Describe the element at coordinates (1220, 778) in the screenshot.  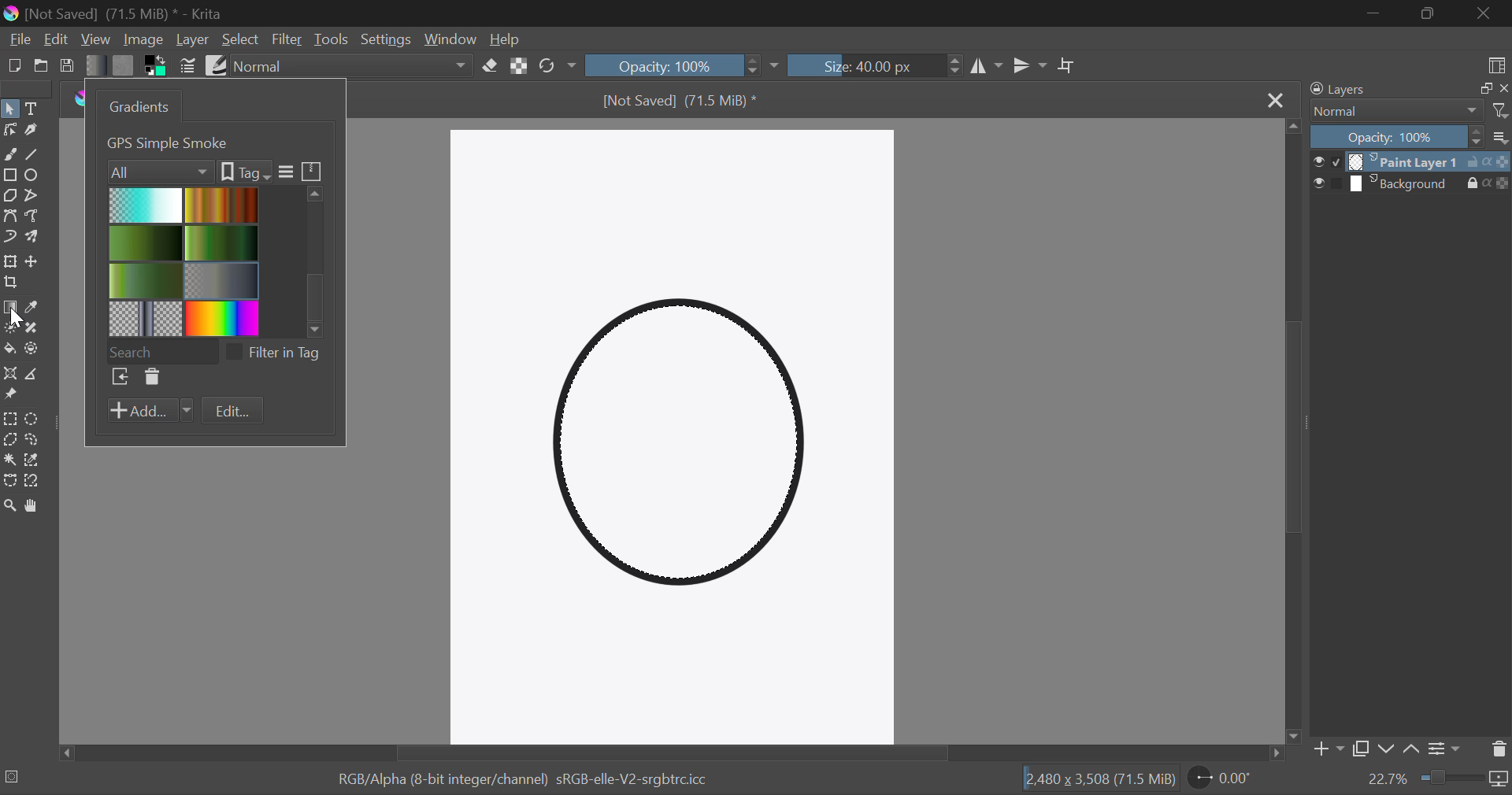
I see `Rotate Page ` at that location.